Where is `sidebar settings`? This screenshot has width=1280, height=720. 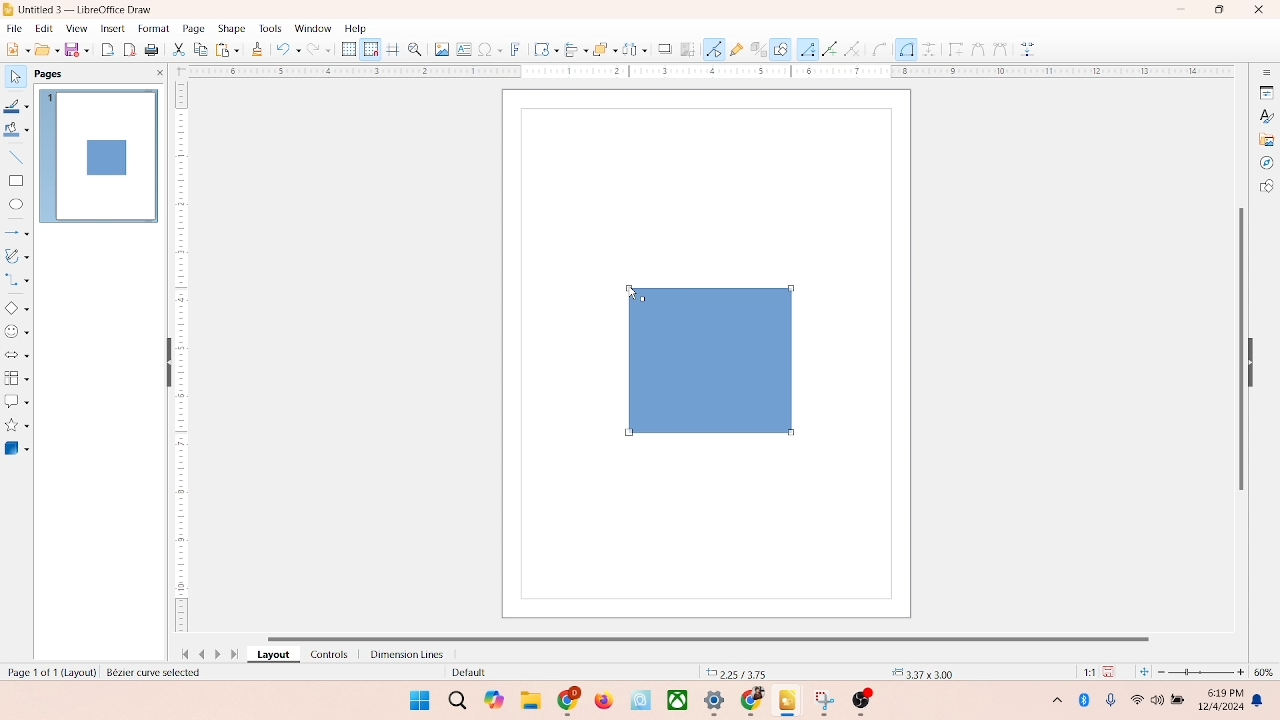
sidebar settings is located at coordinates (1266, 73).